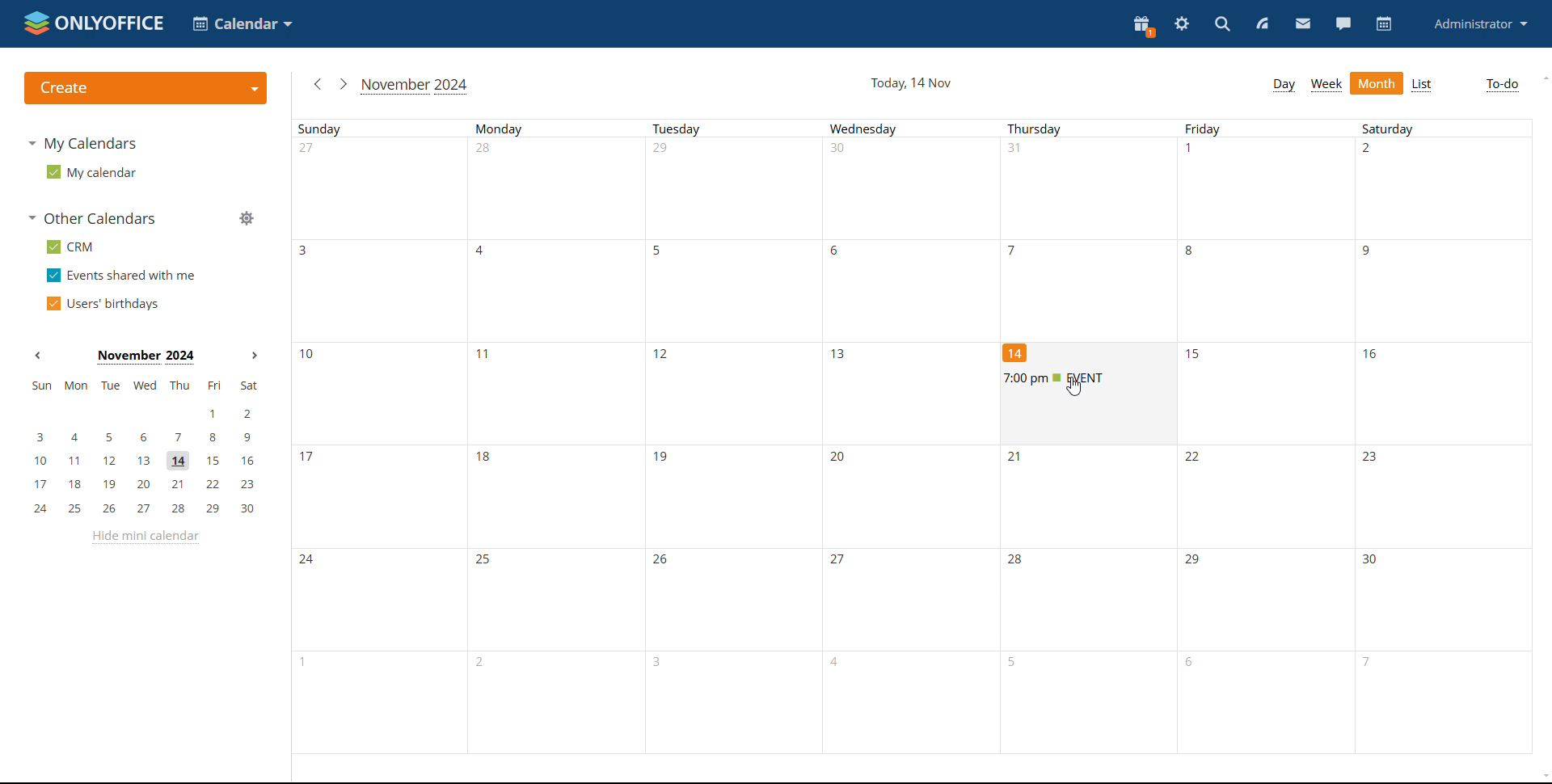 The height and width of the screenshot is (784, 1552). Describe the element at coordinates (1020, 352) in the screenshot. I see `14th ` at that location.